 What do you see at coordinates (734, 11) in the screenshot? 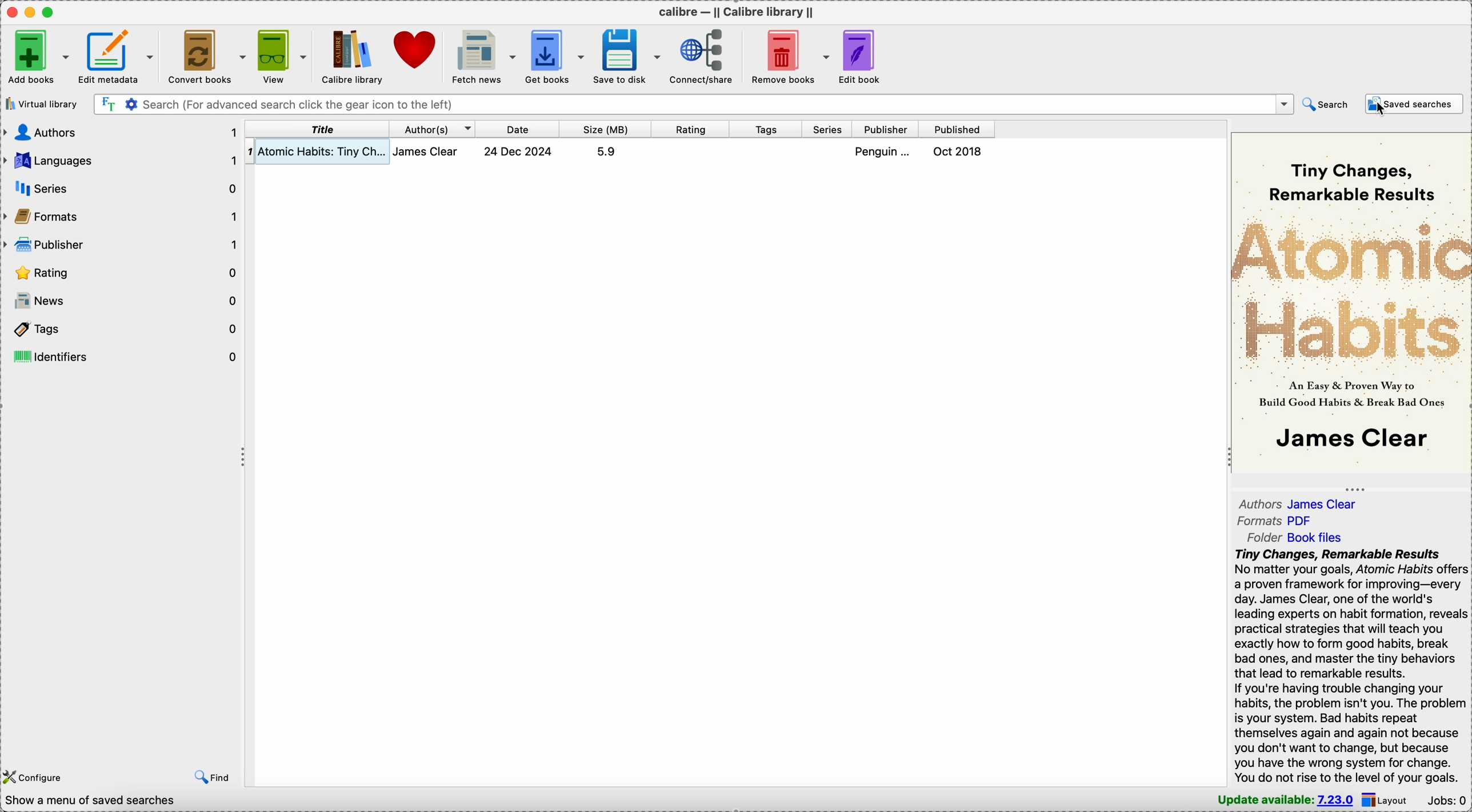
I see `calibre - || Calibre library || ` at bounding box center [734, 11].